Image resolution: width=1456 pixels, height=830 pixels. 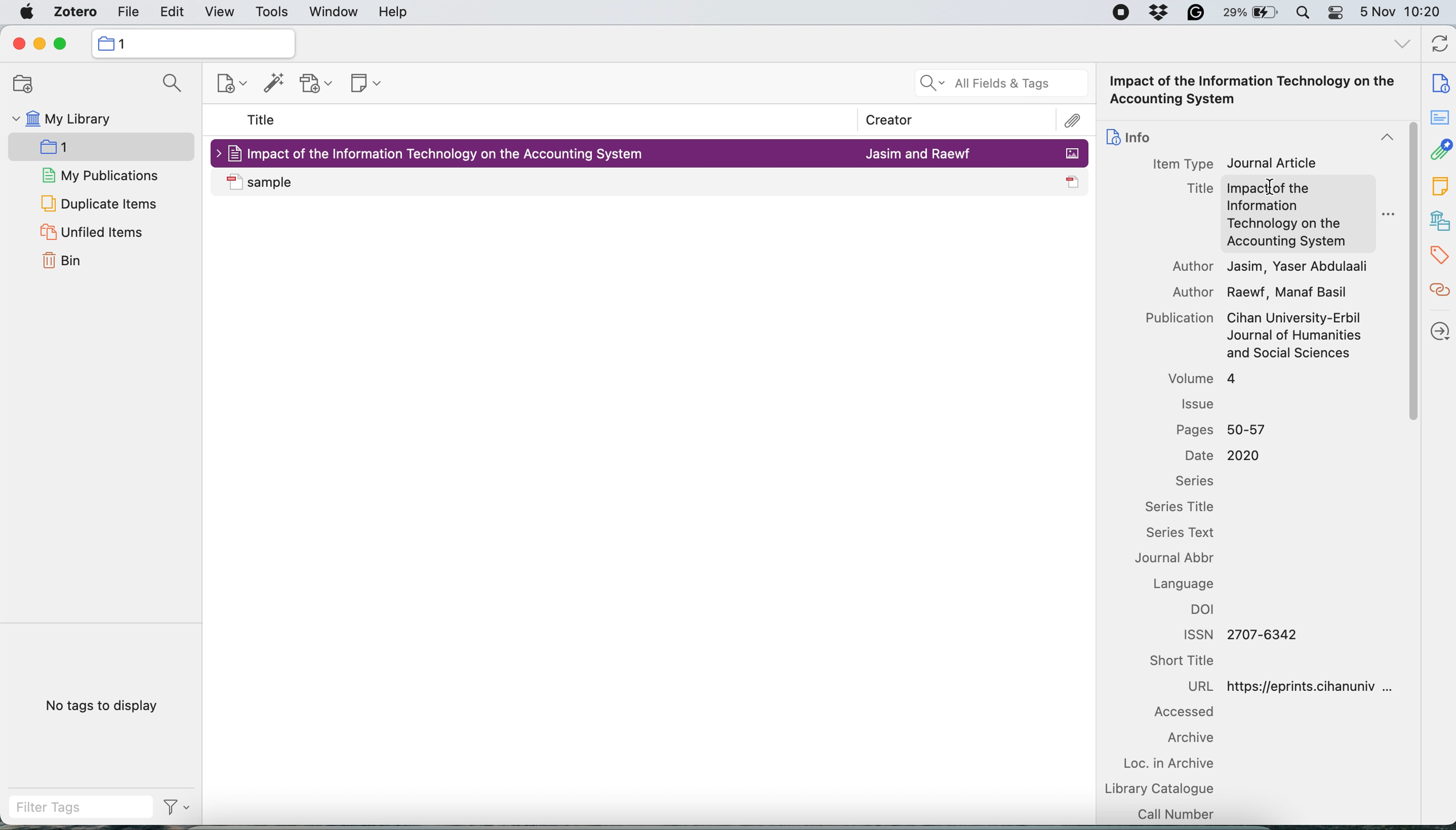 I want to click on vertical scroll bar, so click(x=1410, y=272).